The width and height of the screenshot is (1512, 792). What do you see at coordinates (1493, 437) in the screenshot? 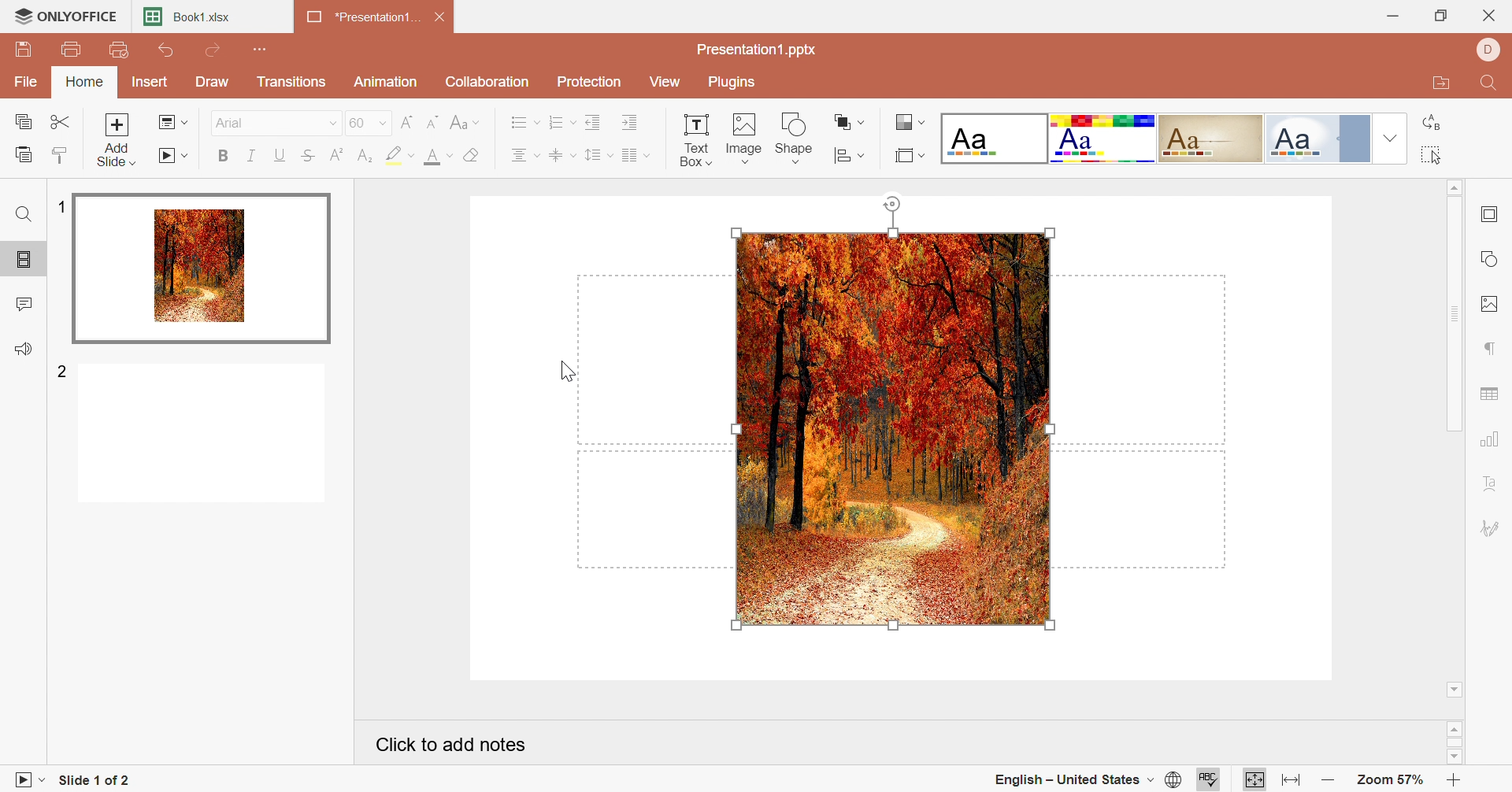
I see `chart settings` at bounding box center [1493, 437].